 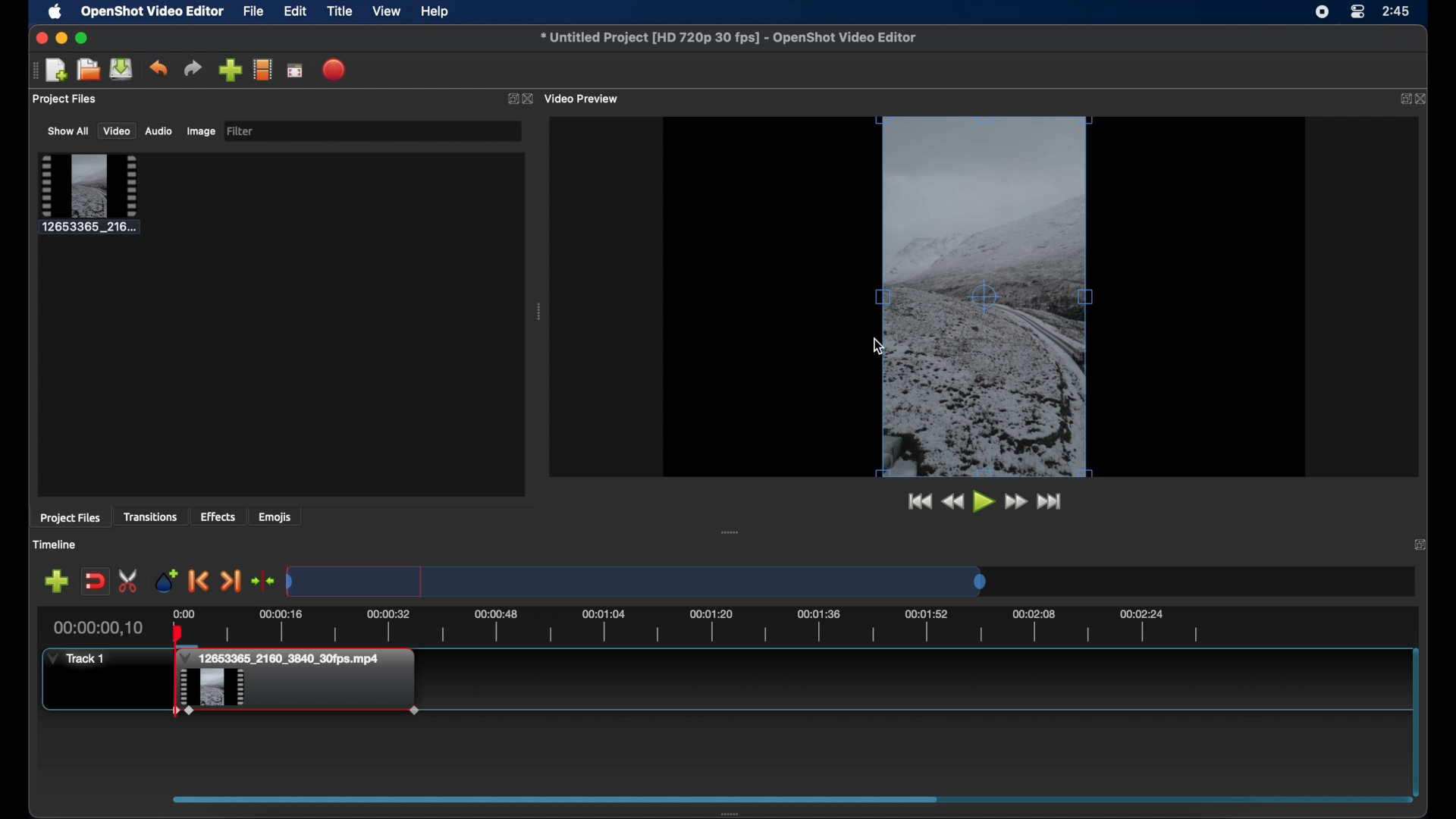 What do you see at coordinates (285, 658) in the screenshot?
I see `clip title` at bounding box center [285, 658].